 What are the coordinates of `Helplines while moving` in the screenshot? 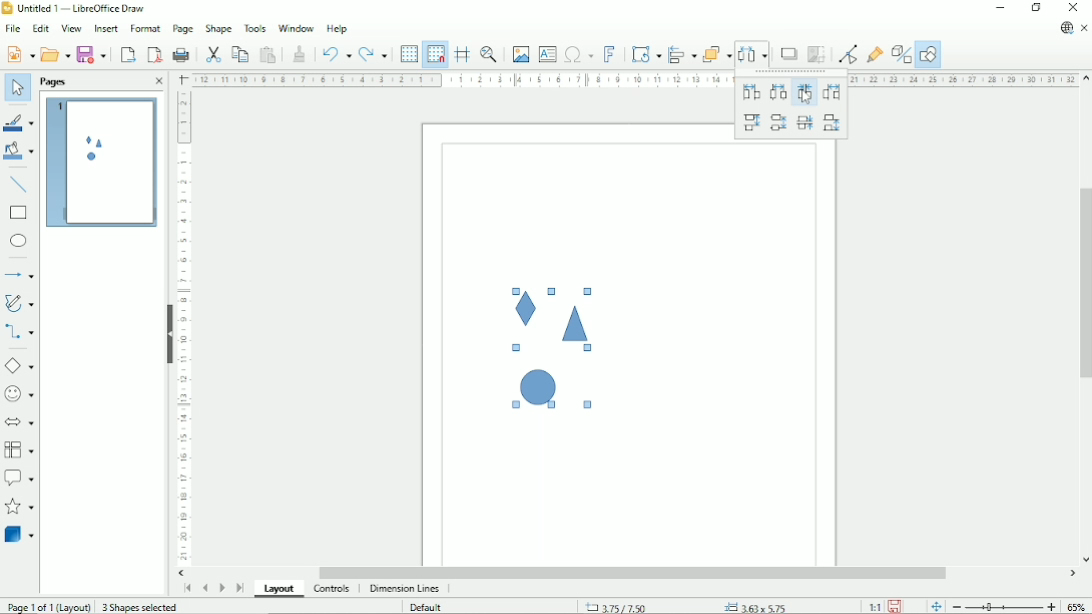 It's located at (461, 54).